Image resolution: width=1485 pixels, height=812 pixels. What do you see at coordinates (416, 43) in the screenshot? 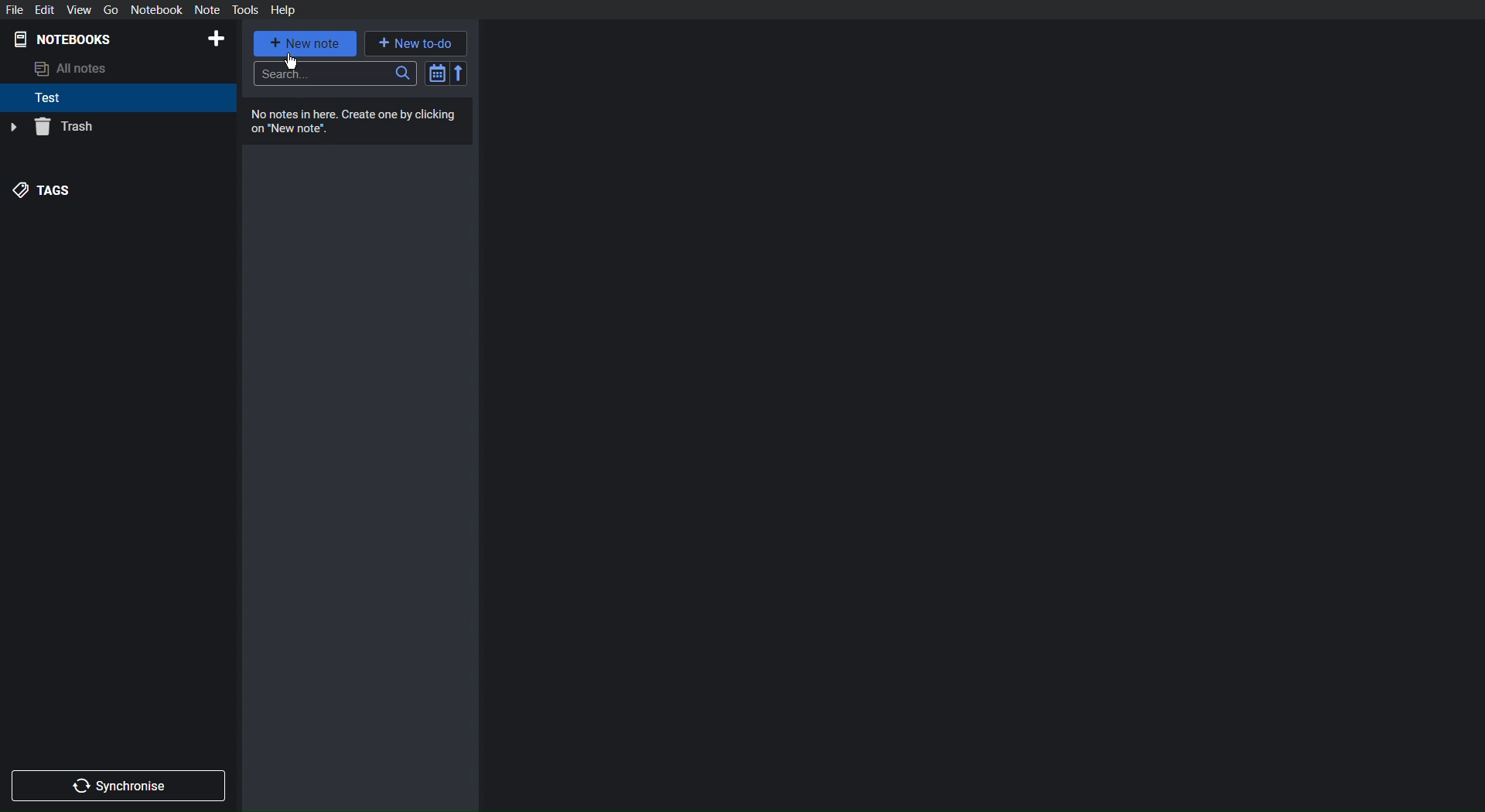
I see `New to-do` at bounding box center [416, 43].